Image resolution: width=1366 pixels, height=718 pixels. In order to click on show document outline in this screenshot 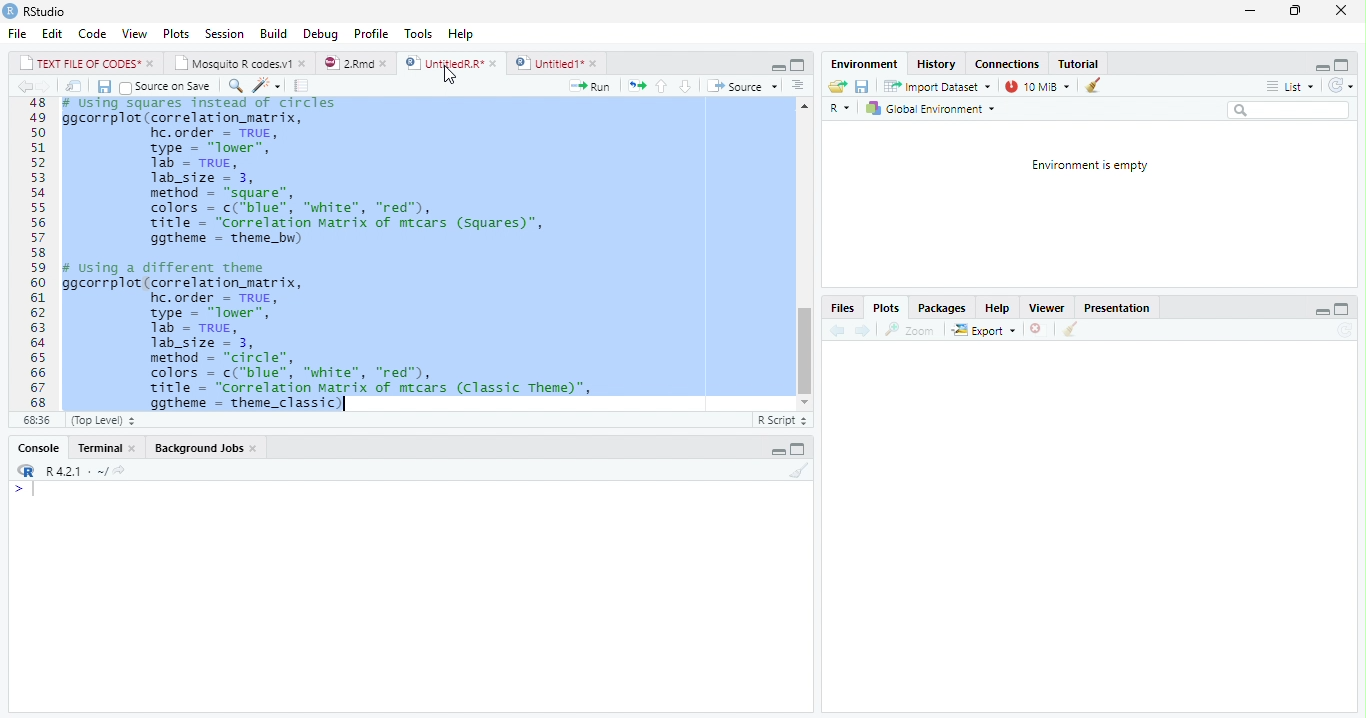, I will do `click(800, 87)`.